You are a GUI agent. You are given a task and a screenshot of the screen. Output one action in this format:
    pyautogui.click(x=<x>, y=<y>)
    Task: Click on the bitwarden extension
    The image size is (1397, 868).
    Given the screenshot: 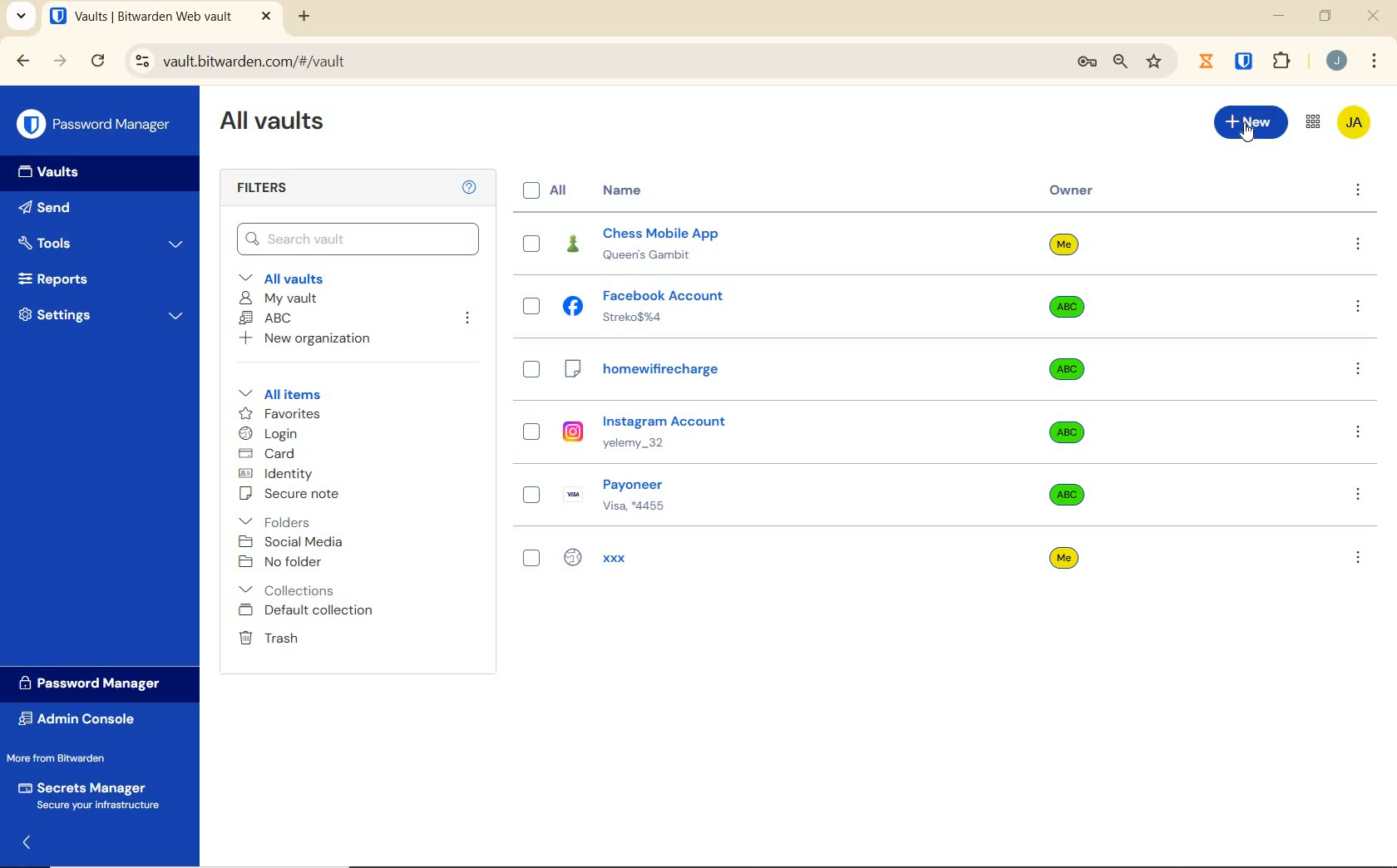 What is the action you would take?
    pyautogui.click(x=1245, y=62)
    